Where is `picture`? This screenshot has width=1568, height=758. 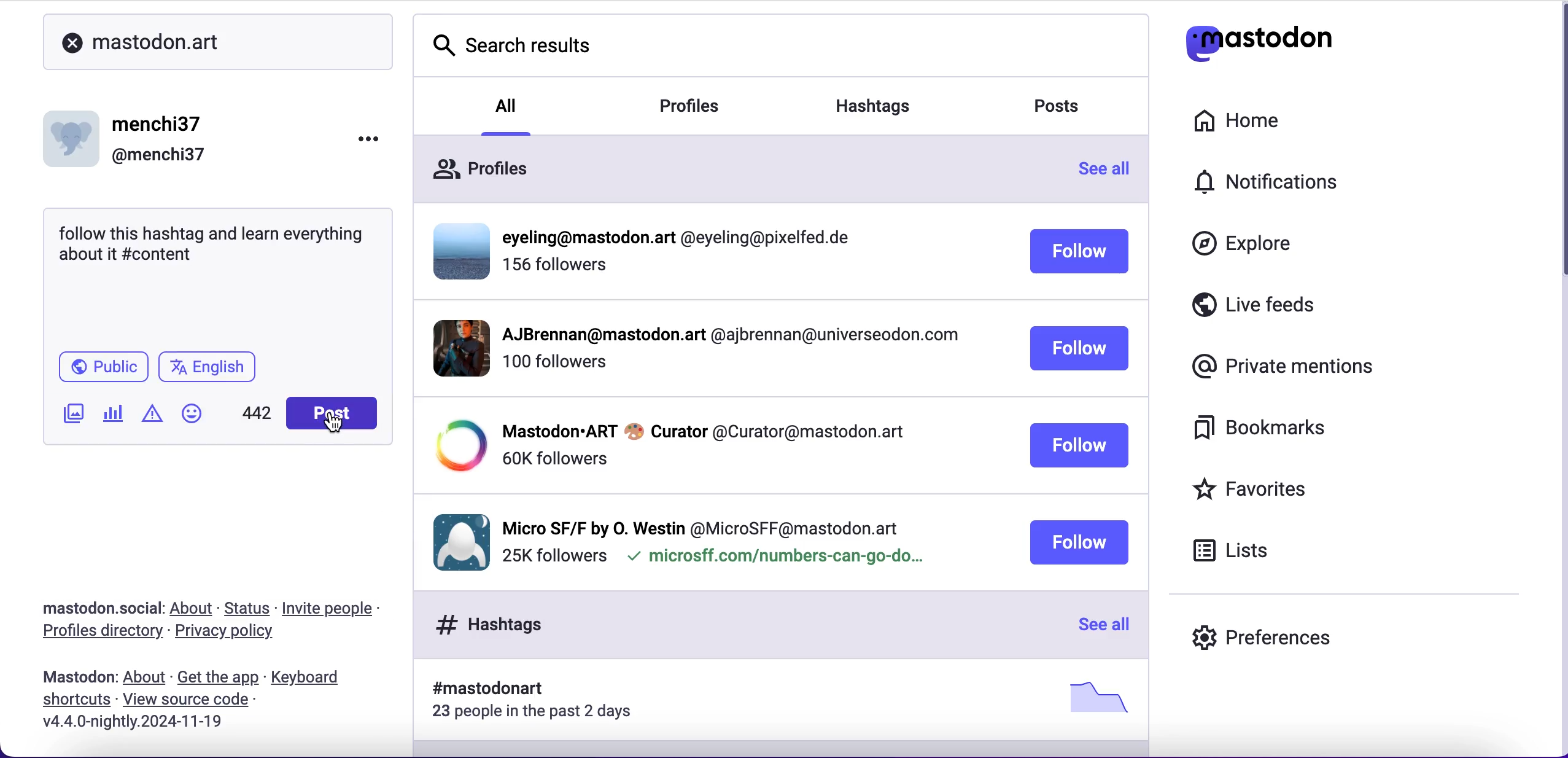
picture is located at coordinates (1093, 697).